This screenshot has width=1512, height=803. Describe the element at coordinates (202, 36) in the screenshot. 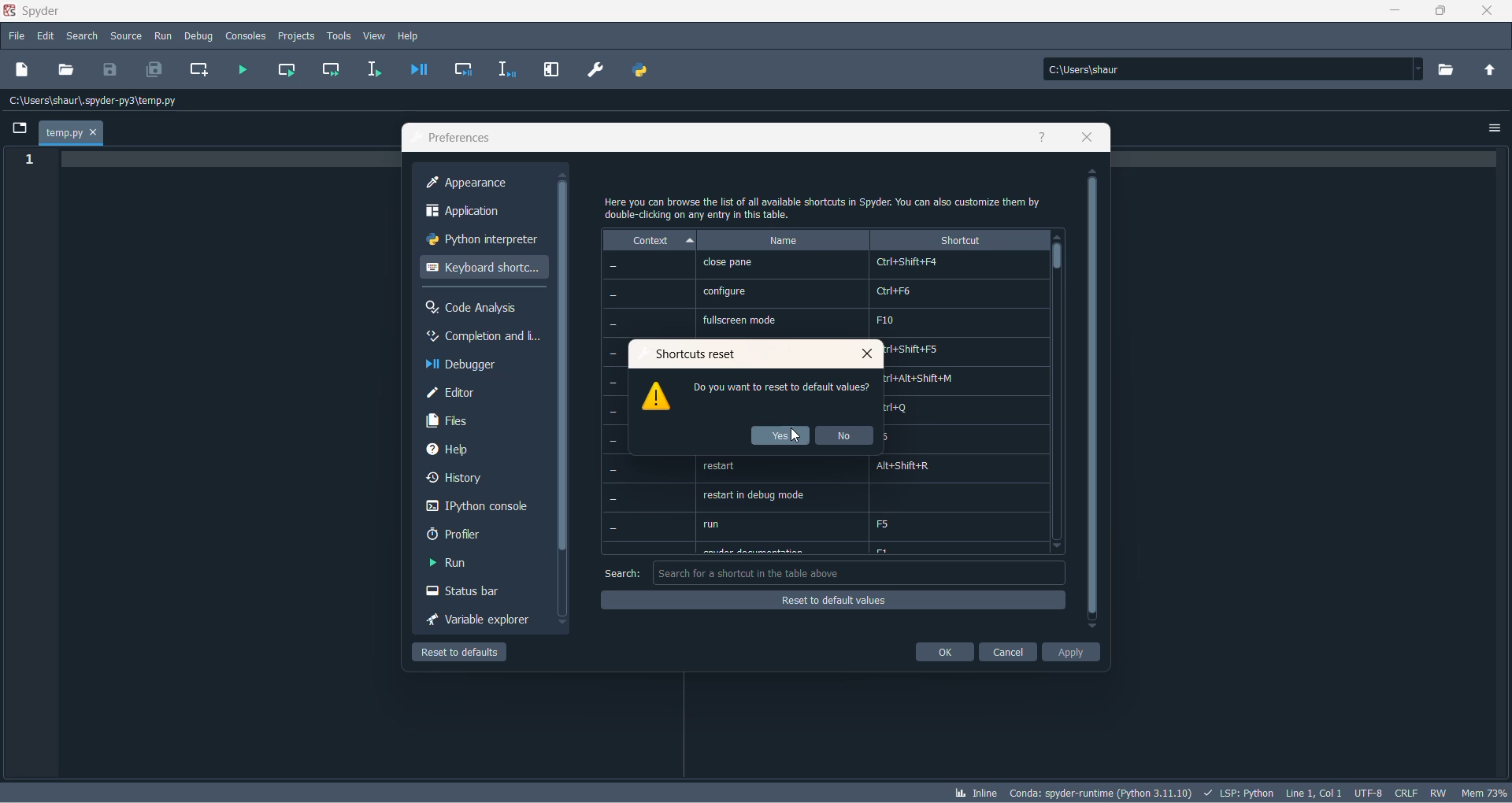

I see `debug` at that location.